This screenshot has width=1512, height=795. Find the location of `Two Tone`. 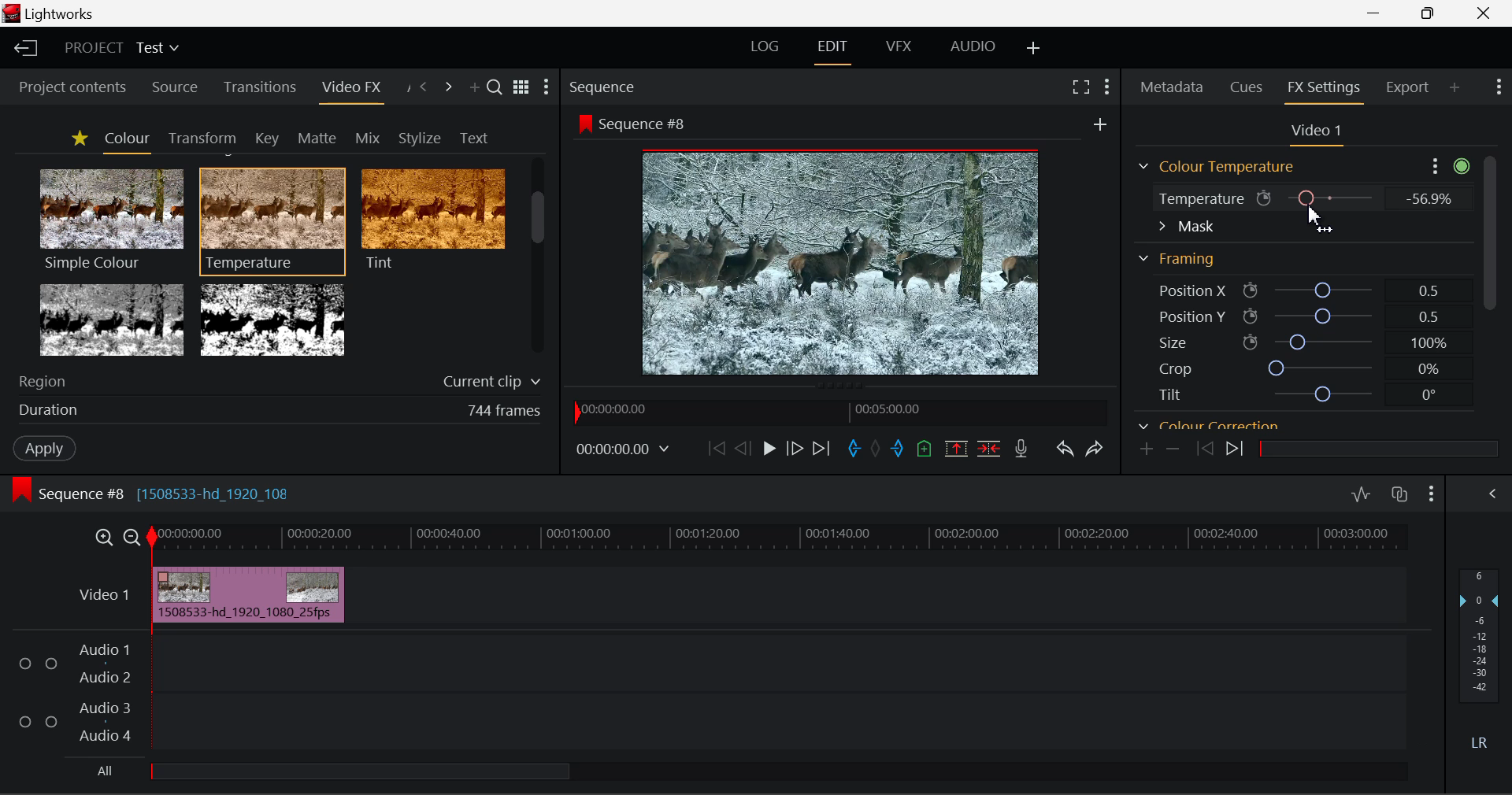

Two Tone is located at coordinates (270, 319).